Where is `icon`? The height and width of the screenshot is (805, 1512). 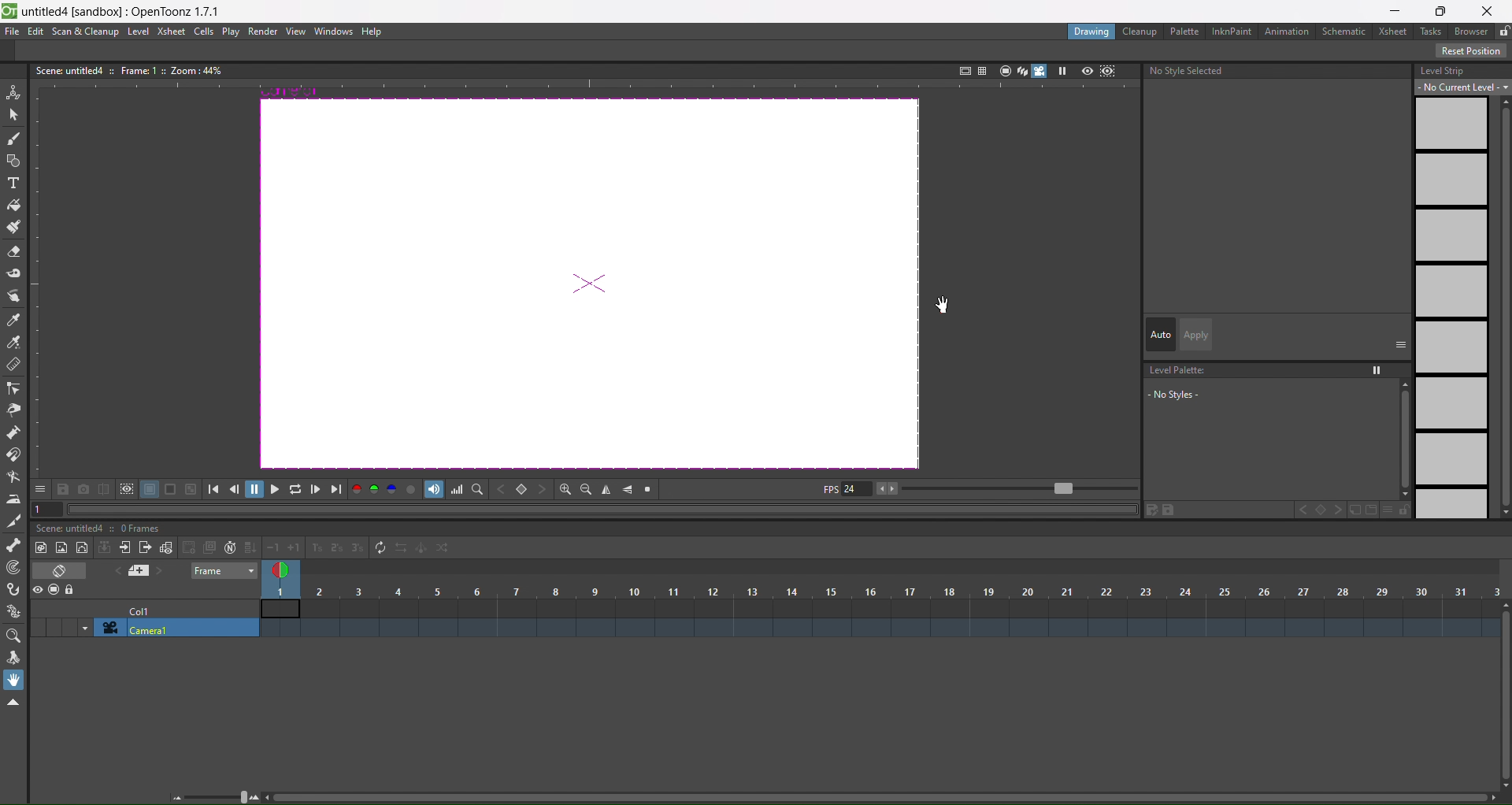 icon is located at coordinates (117, 490).